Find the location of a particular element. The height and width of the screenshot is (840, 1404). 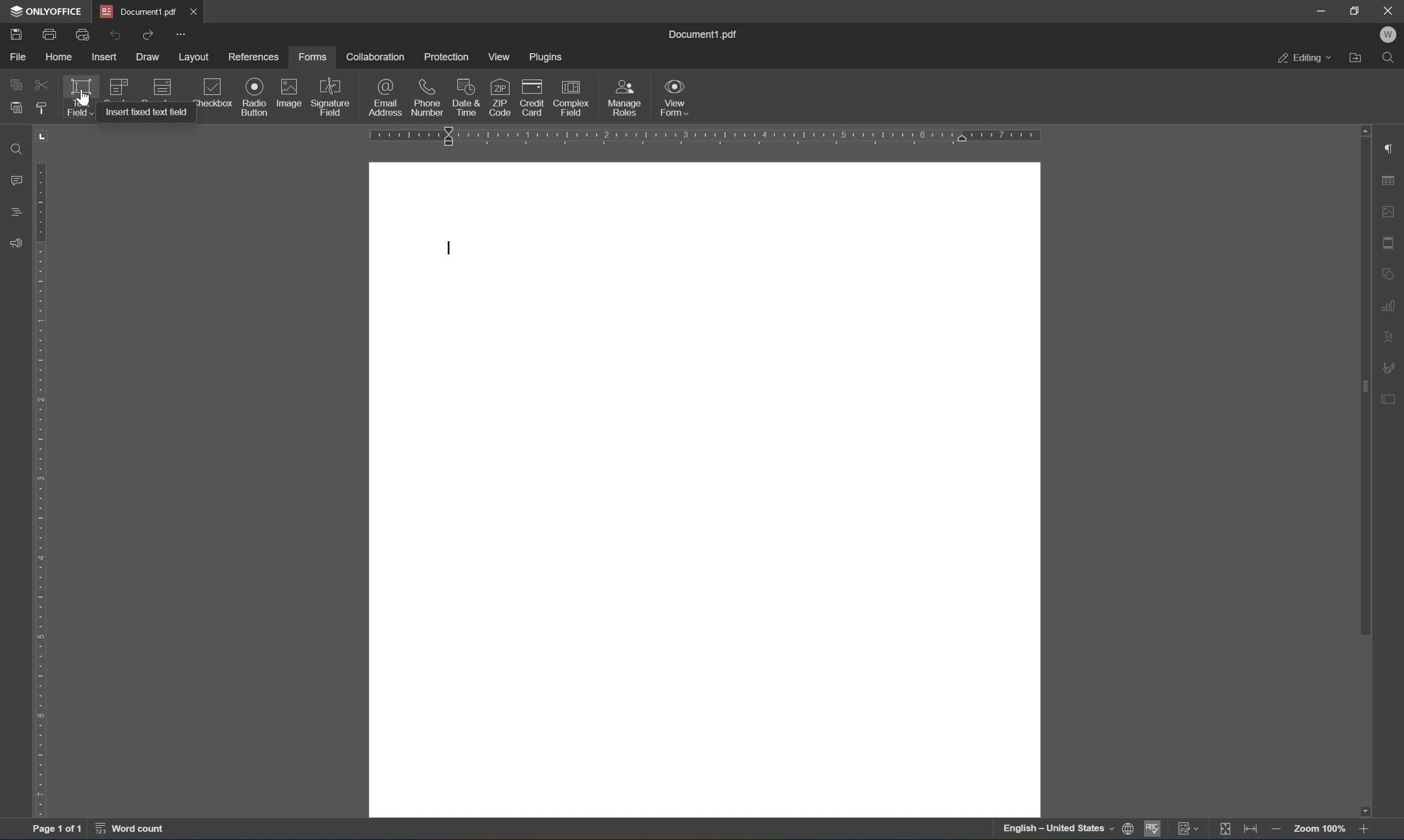

text art settings is located at coordinates (1393, 340).